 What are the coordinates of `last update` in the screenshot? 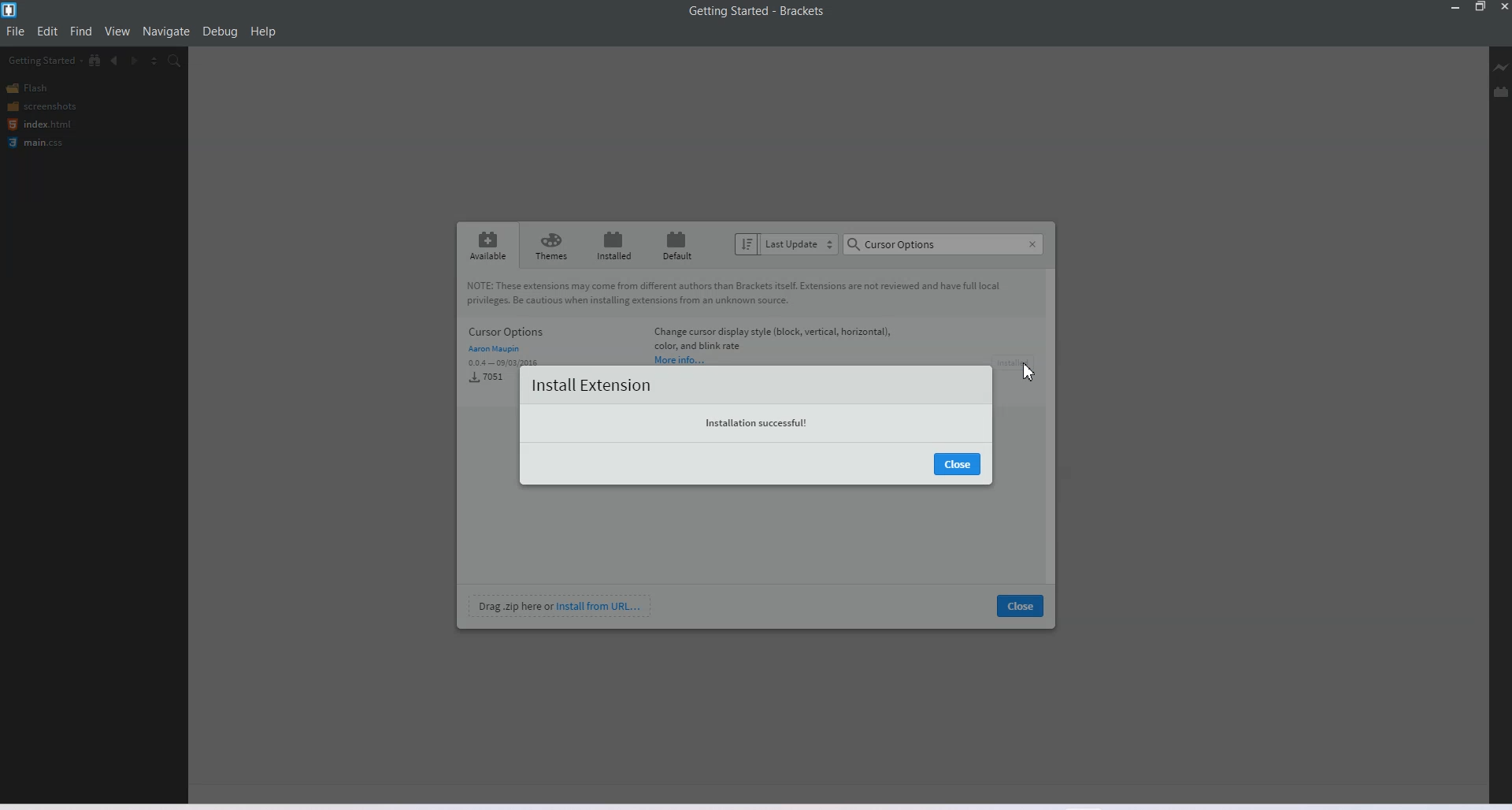 It's located at (800, 244).